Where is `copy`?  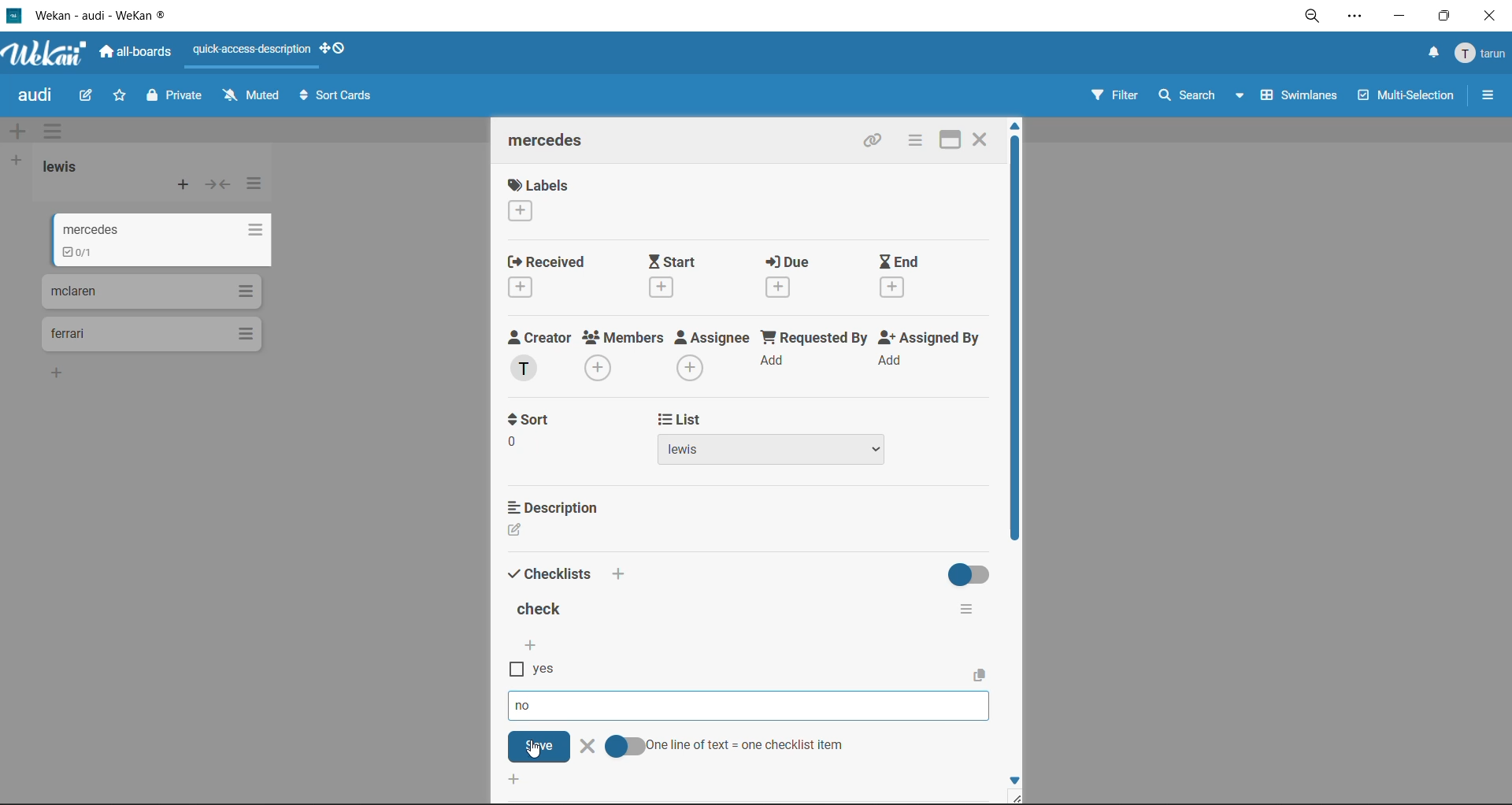 copy is located at coordinates (983, 674).